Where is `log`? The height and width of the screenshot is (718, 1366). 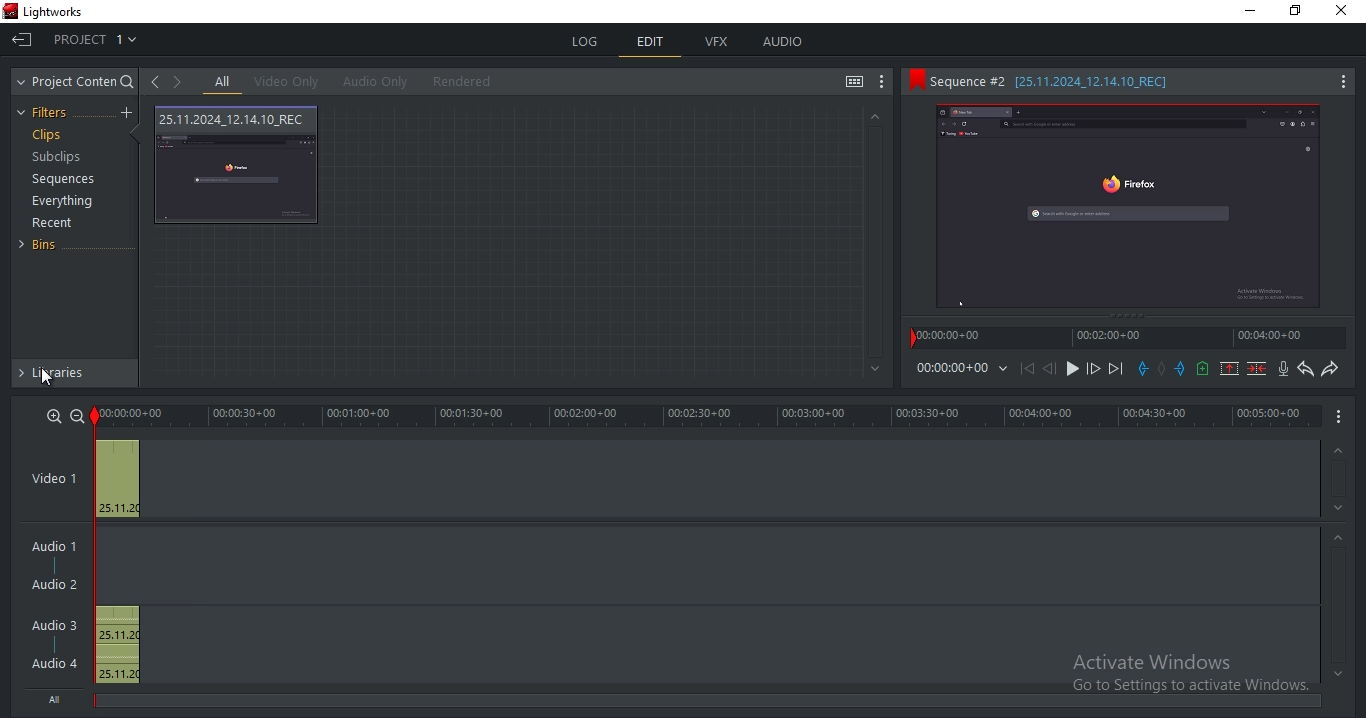 log is located at coordinates (586, 39).